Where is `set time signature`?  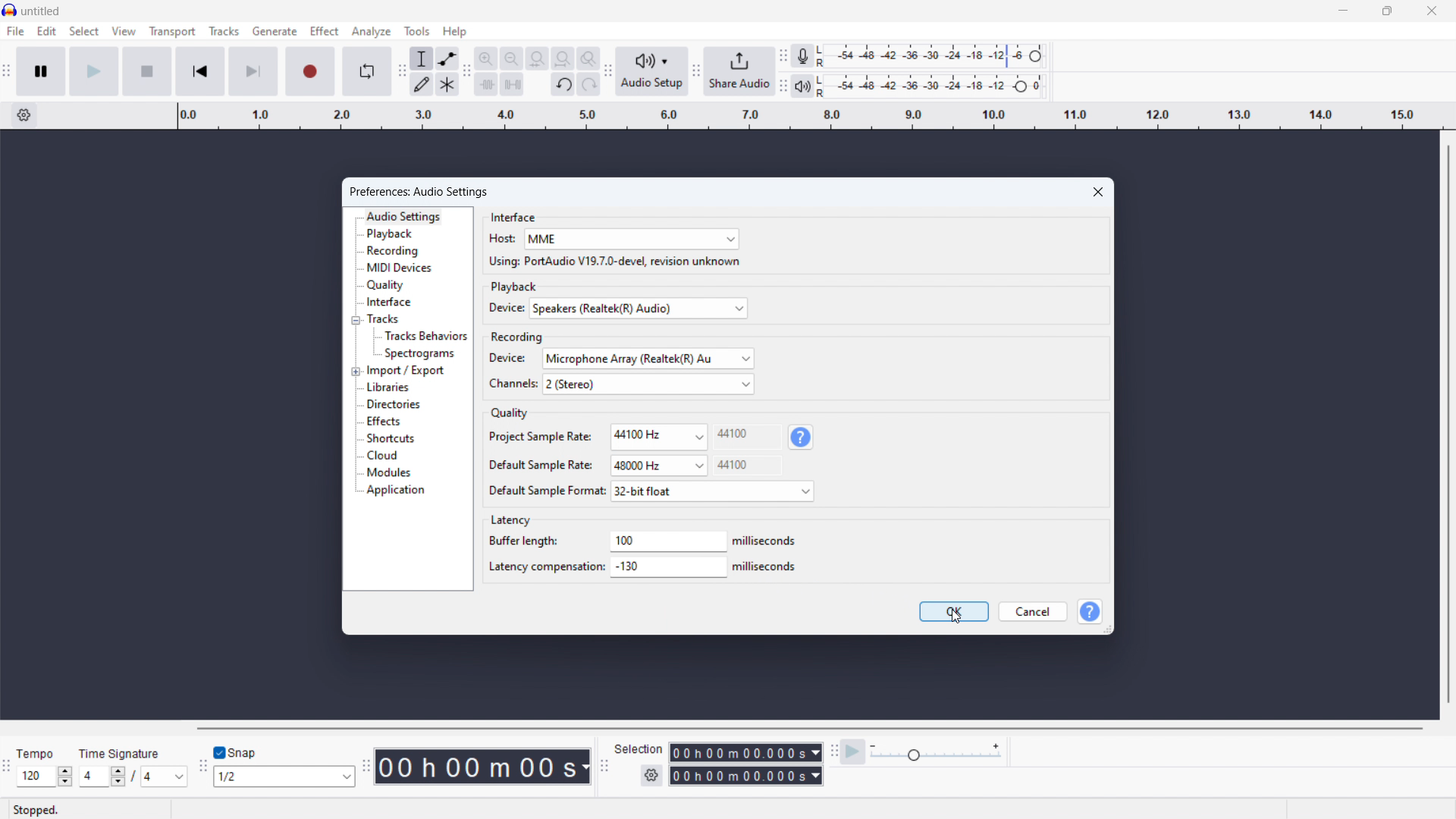
set time signature is located at coordinates (131, 777).